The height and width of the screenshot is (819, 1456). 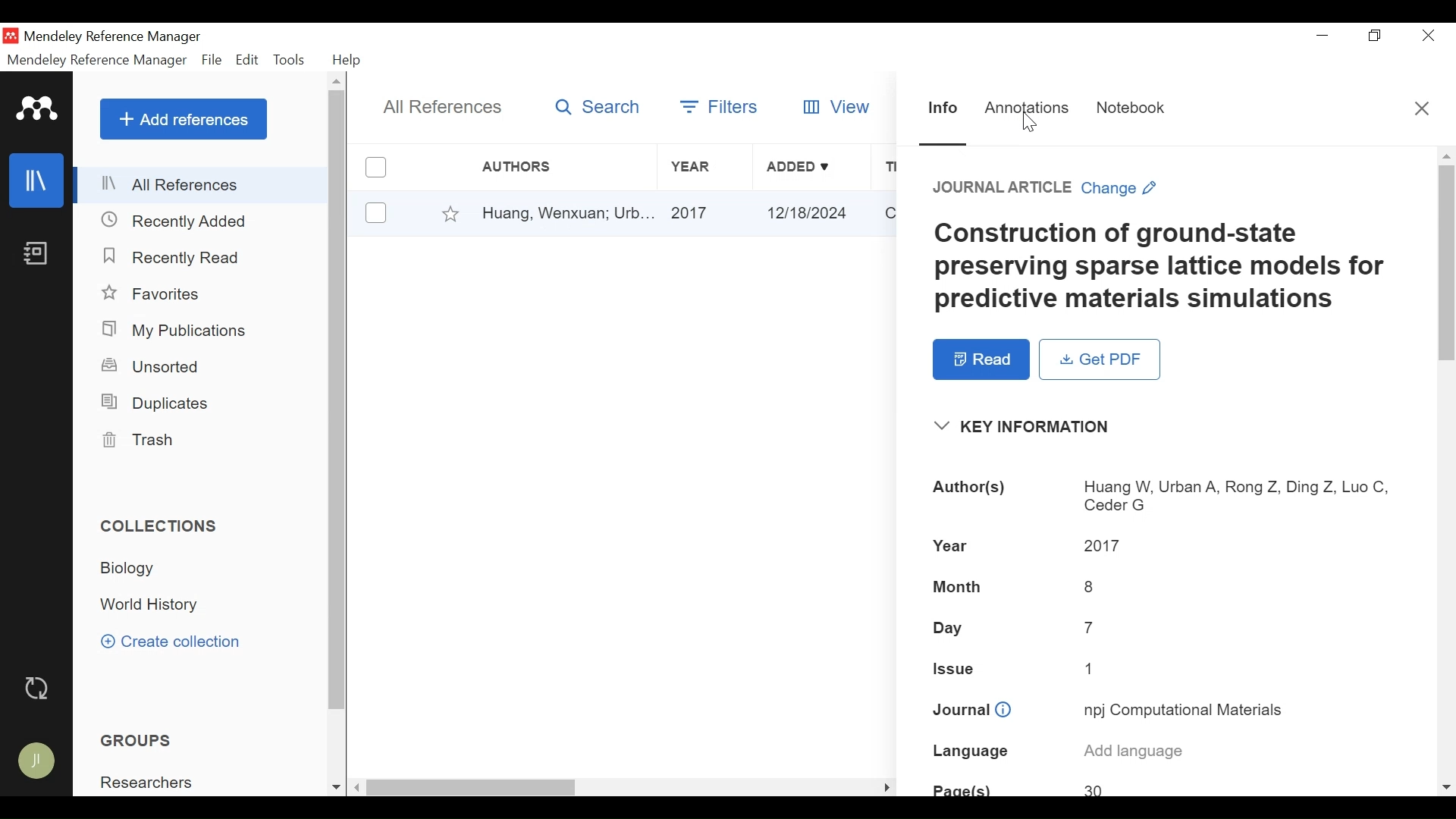 What do you see at coordinates (37, 254) in the screenshot?
I see `Notebook` at bounding box center [37, 254].